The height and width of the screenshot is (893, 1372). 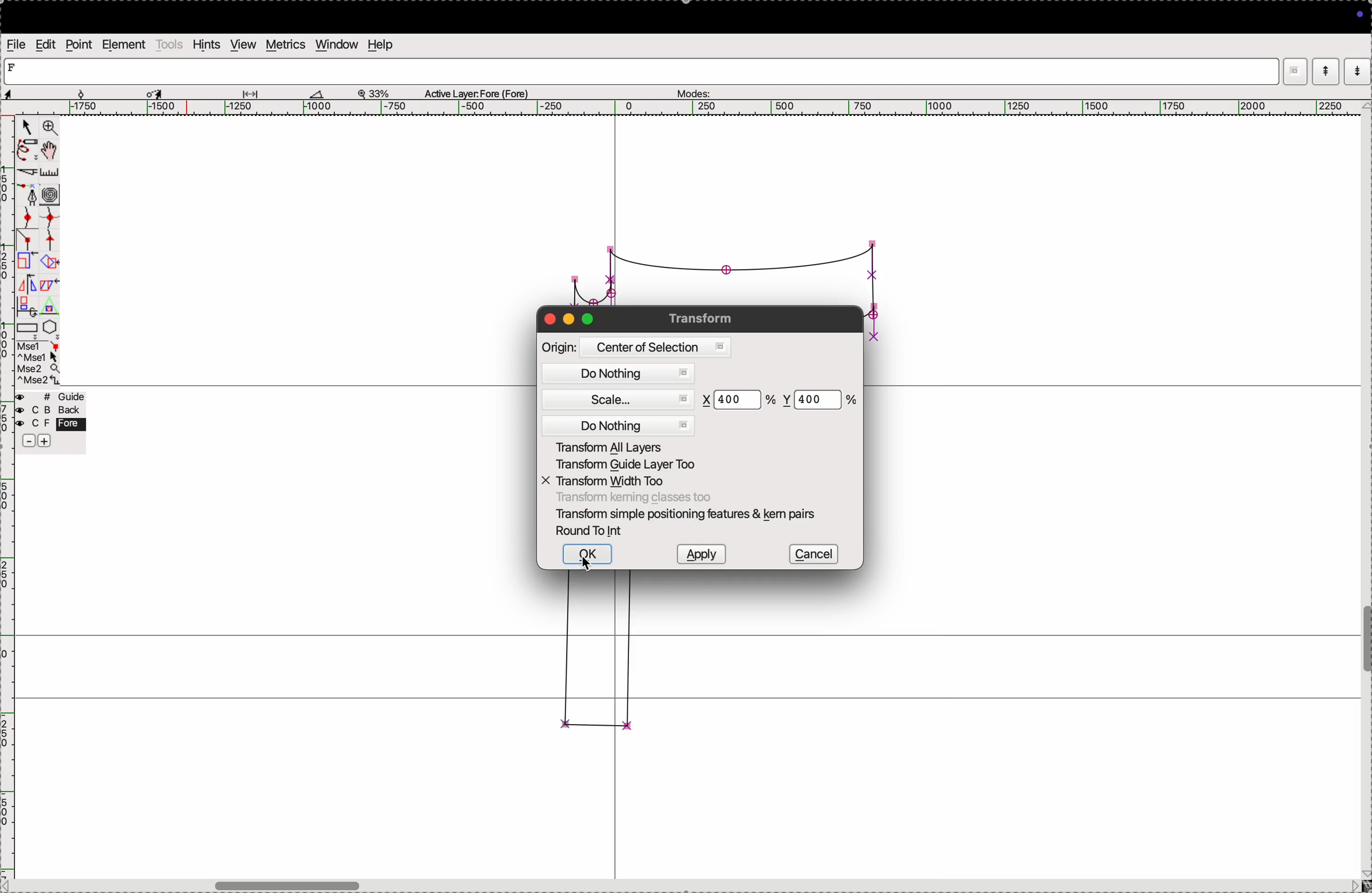 I want to click on Cursor, so click(x=587, y=564).